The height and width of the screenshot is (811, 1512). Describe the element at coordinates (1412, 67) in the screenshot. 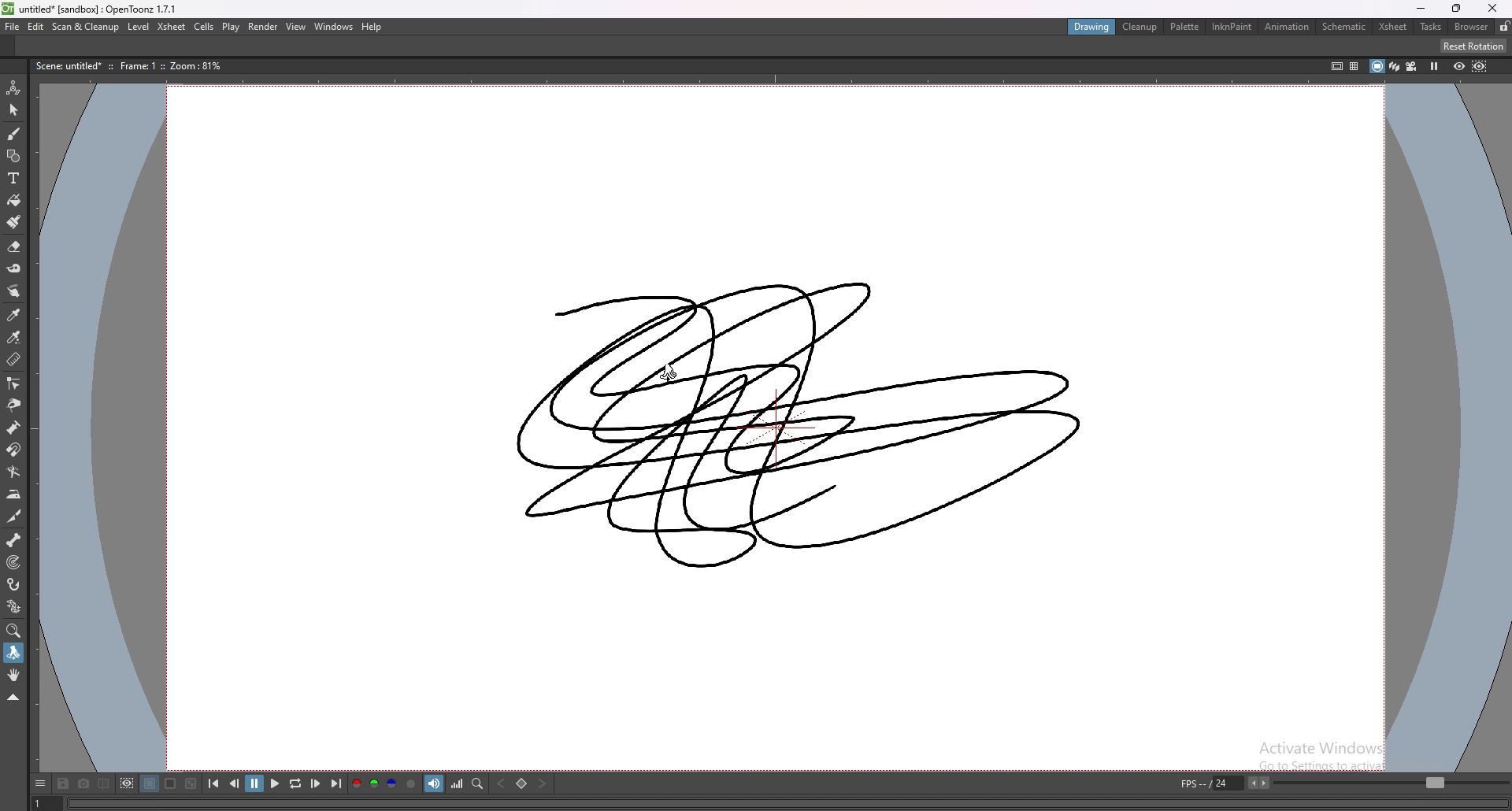

I see `camera view` at that location.